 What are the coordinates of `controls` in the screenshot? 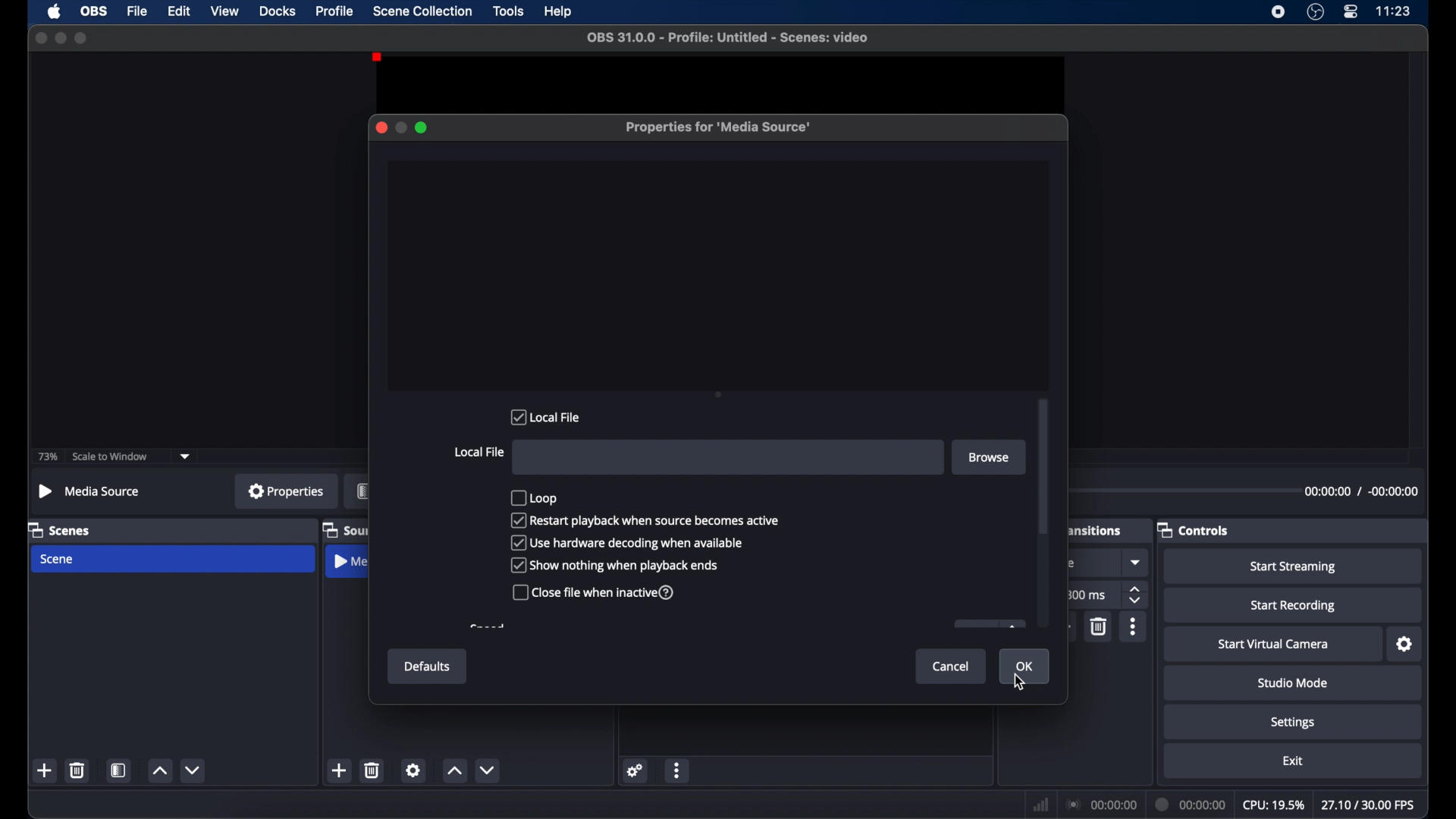 It's located at (1193, 529).